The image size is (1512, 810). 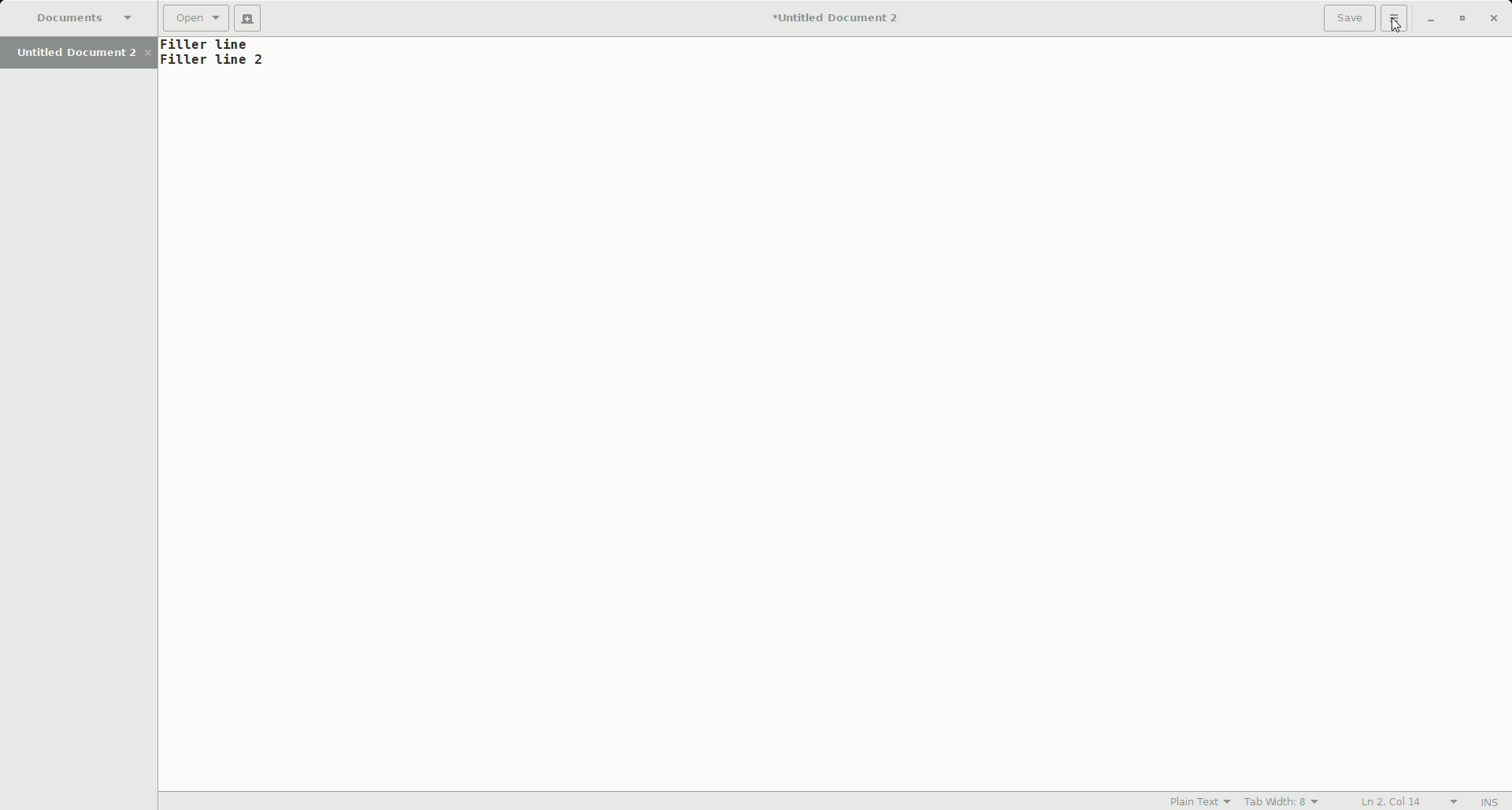 What do you see at coordinates (251, 18) in the screenshot?
I see `New` at bounding box center [251, 18].